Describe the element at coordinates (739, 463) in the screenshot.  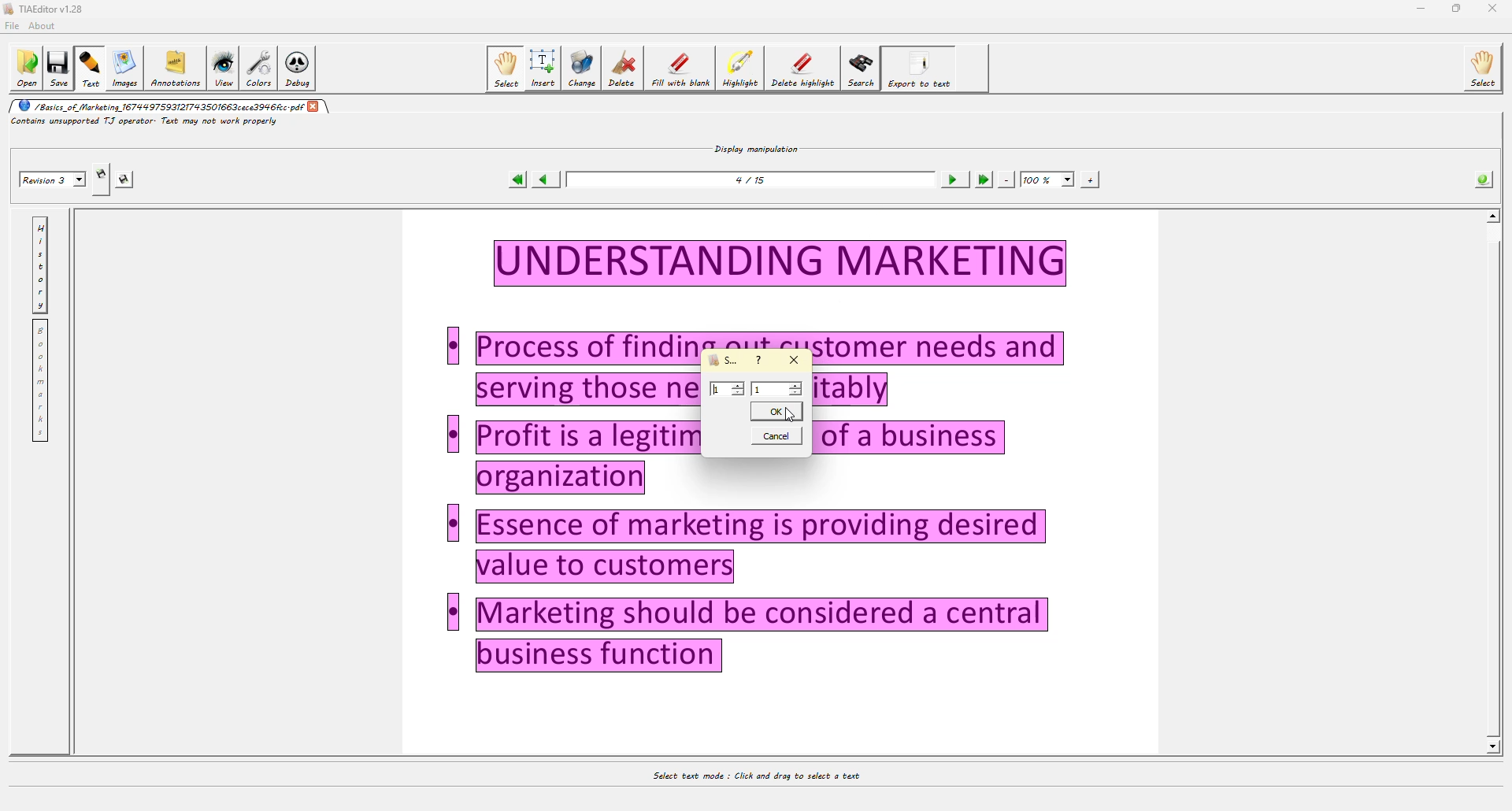
I see `4 Process of finding out customer needs and4 Profit i a legitimate goal of a business.4 [Essence of marketing 1s providing desired4 Marketing should be considered a central business function.` at that location.